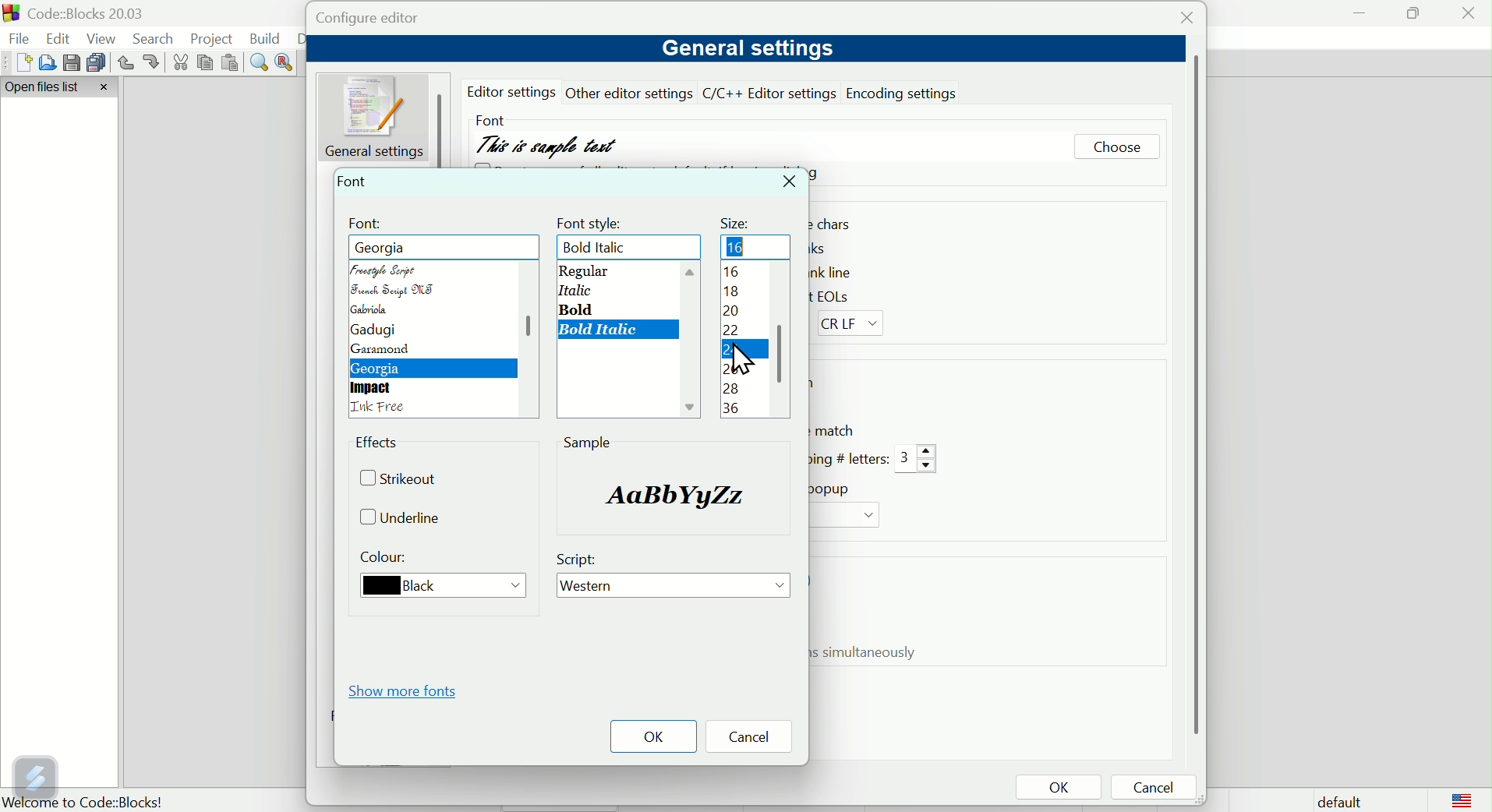 The height and width of the screenshot is (812, 1492). What do you see at coordinates (376, 310) in the screenshot?
I see `Gabriola` at bounding box center [376, 310].